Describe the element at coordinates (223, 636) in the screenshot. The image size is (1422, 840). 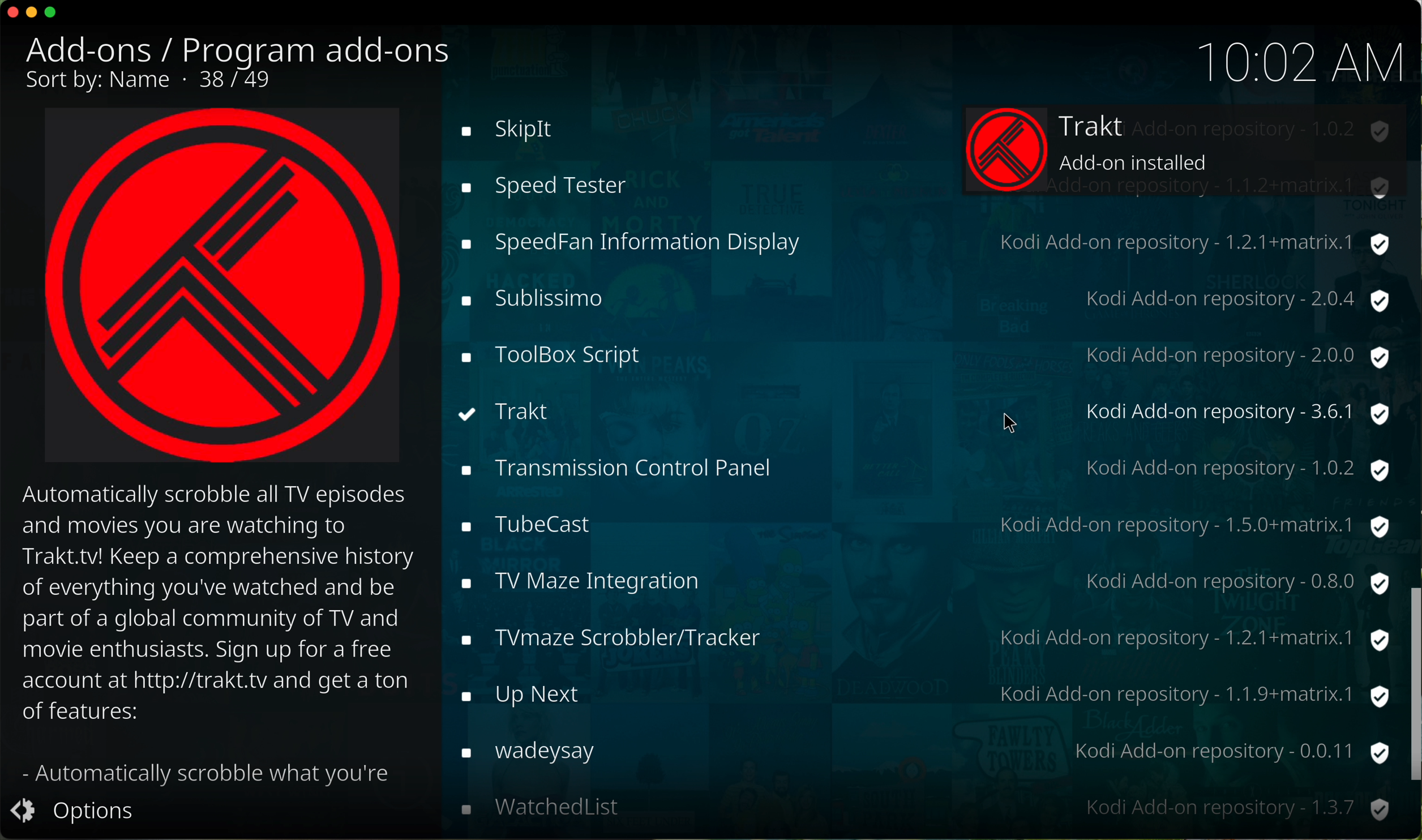
I see `description` at that location.